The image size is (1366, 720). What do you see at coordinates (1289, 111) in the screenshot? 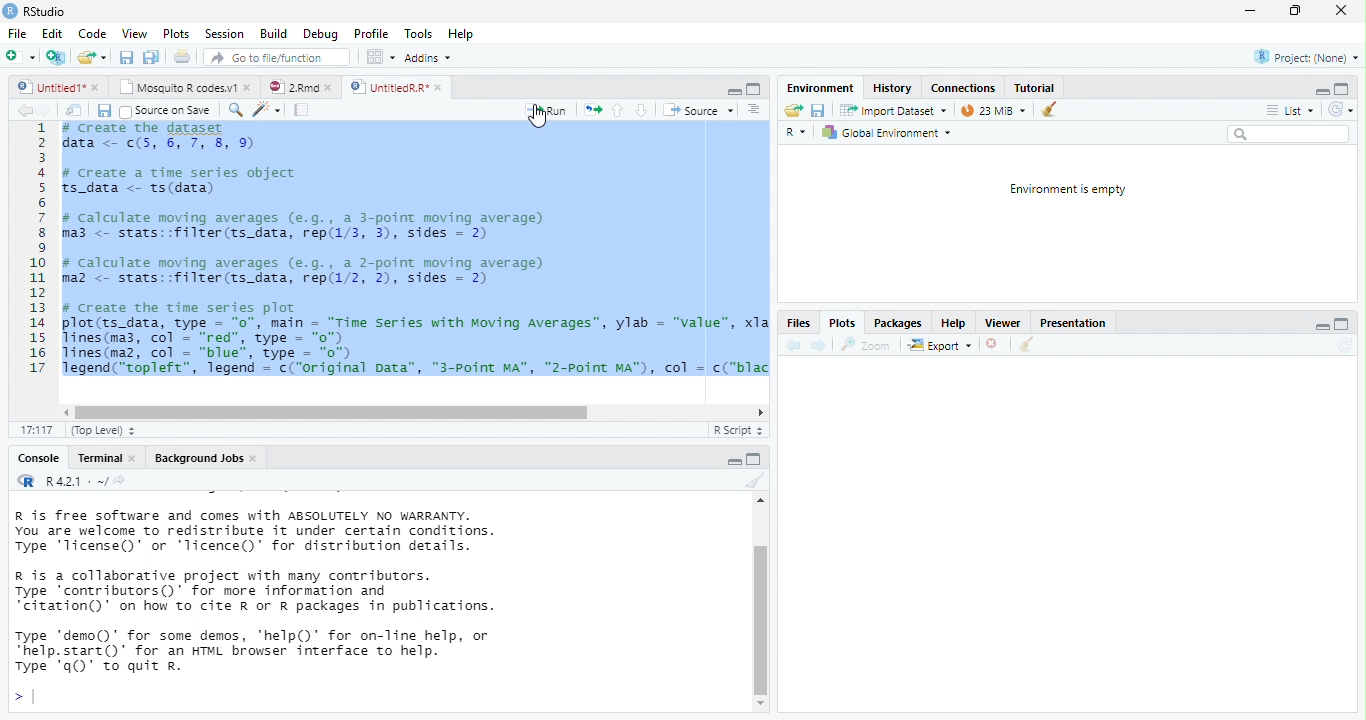
I see `List` at bounding box center [1289, 111].